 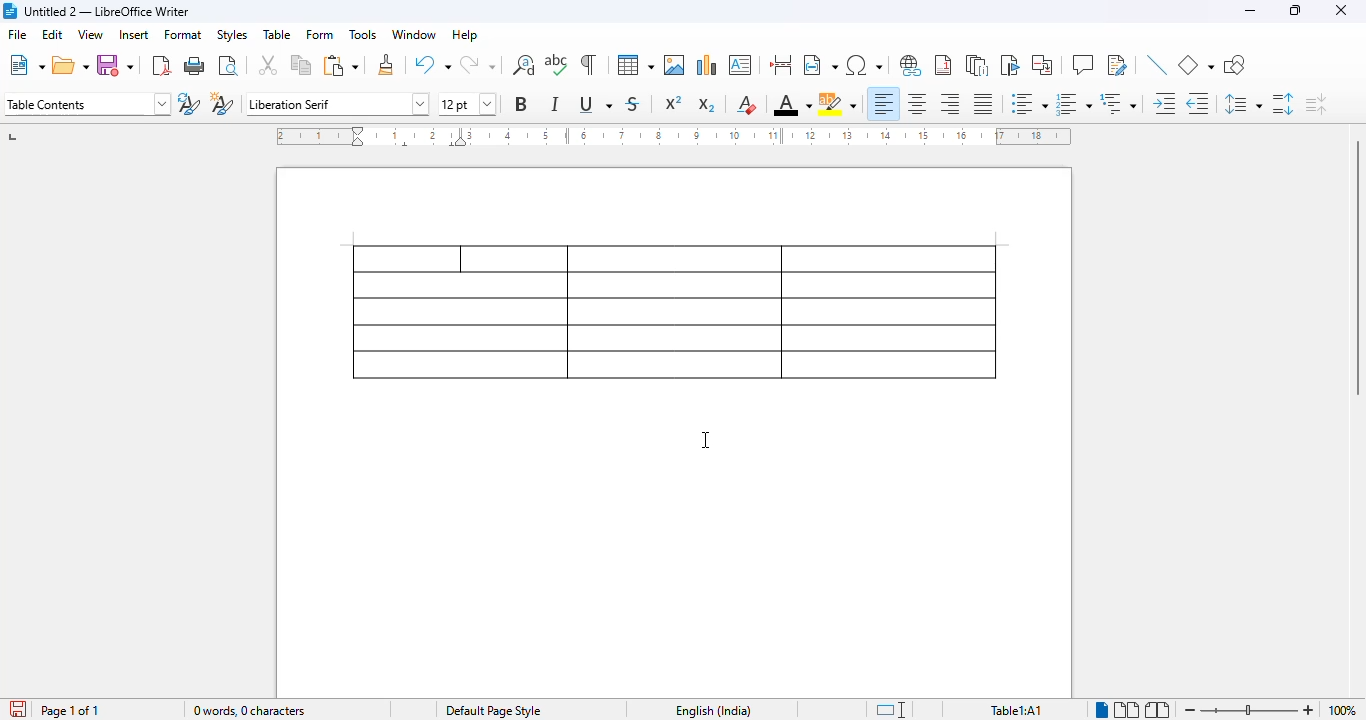 What do you see at coordinates (336, 104) in the screenshot?
I see `font name` at bounding box center [336, 104].